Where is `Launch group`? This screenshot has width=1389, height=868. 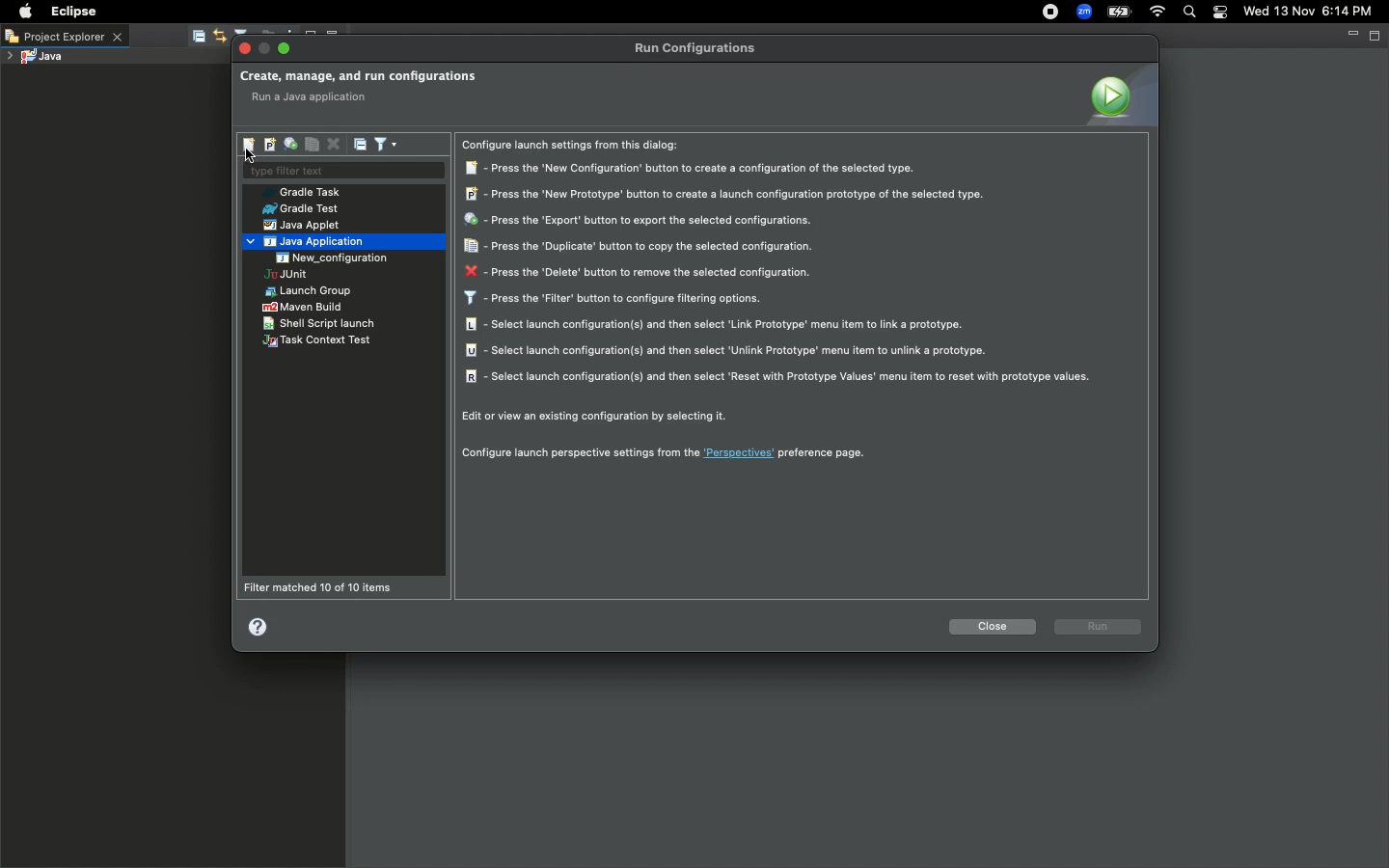 Launch group is located at coordinates (311, 291).